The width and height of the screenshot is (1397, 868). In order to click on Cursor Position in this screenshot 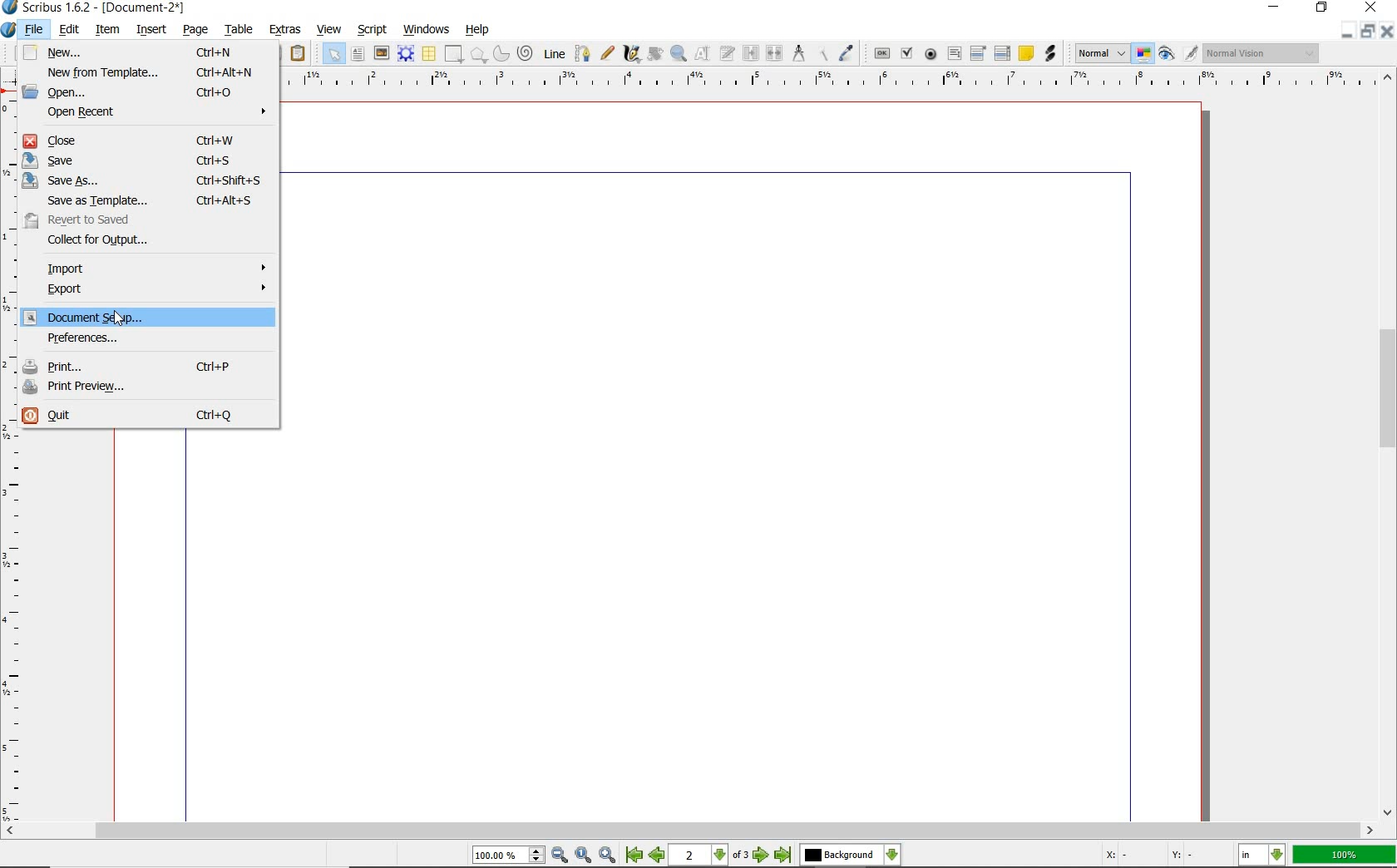, I will do `click(119, 318)`.